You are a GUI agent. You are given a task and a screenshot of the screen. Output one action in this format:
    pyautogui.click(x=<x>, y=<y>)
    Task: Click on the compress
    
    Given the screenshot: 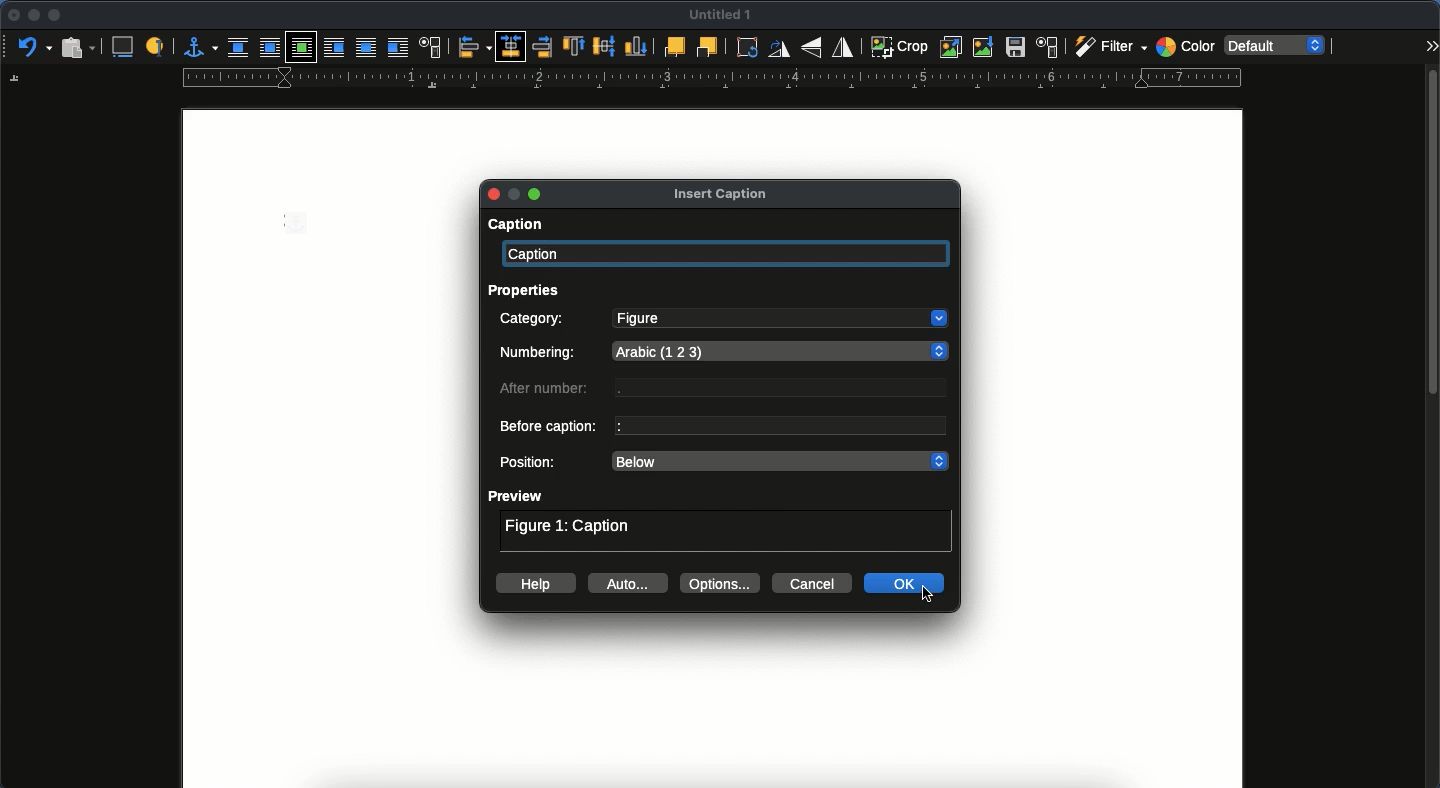 What is the action you would take?
    pyautogui.click(x=986, y=46)
    